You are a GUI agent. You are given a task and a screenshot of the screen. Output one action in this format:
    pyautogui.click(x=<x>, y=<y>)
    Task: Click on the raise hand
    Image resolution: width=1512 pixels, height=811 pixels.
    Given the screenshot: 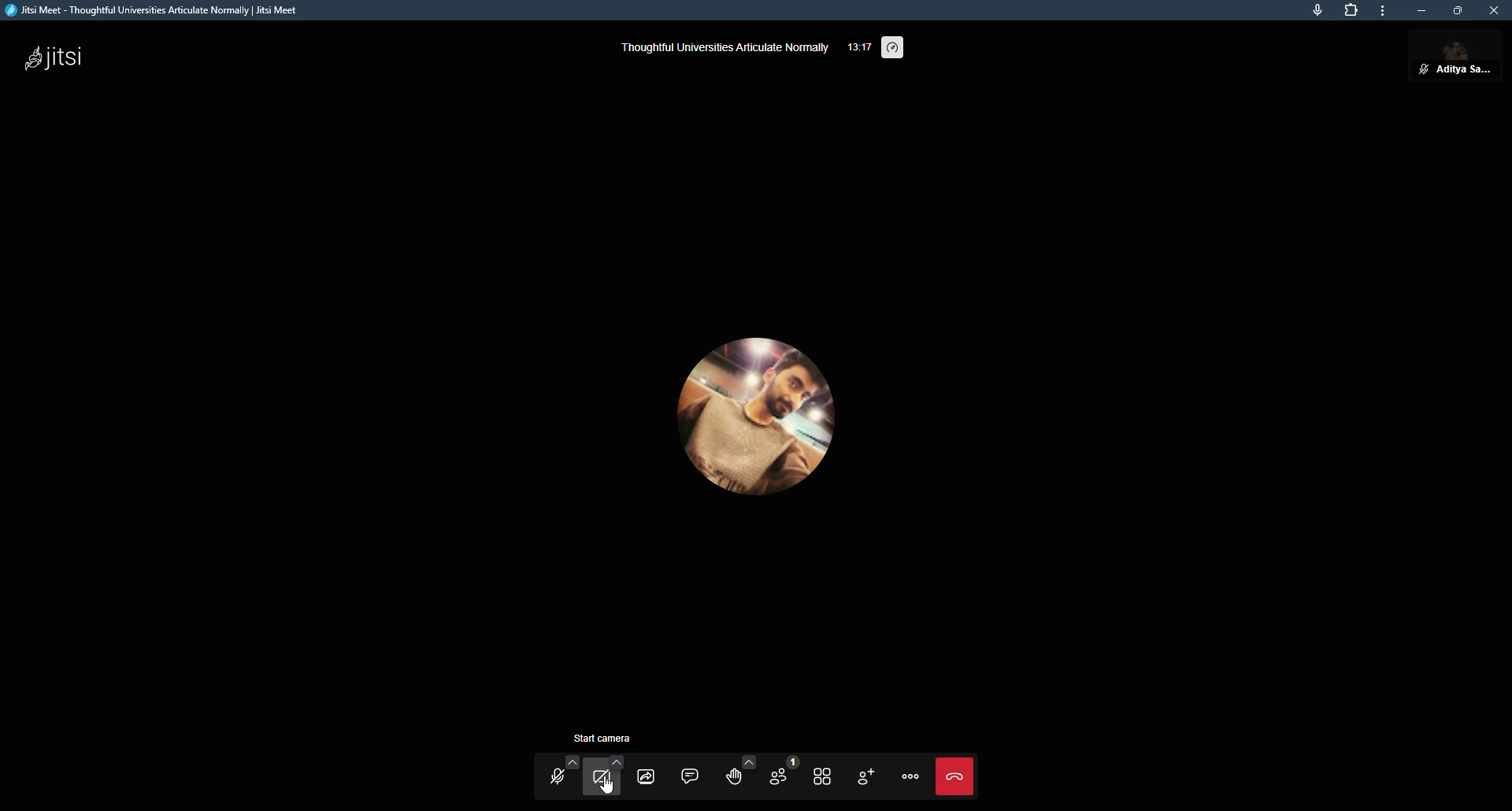 What is the action you would take?
    pyautogui.click(x=738, y=773)
    